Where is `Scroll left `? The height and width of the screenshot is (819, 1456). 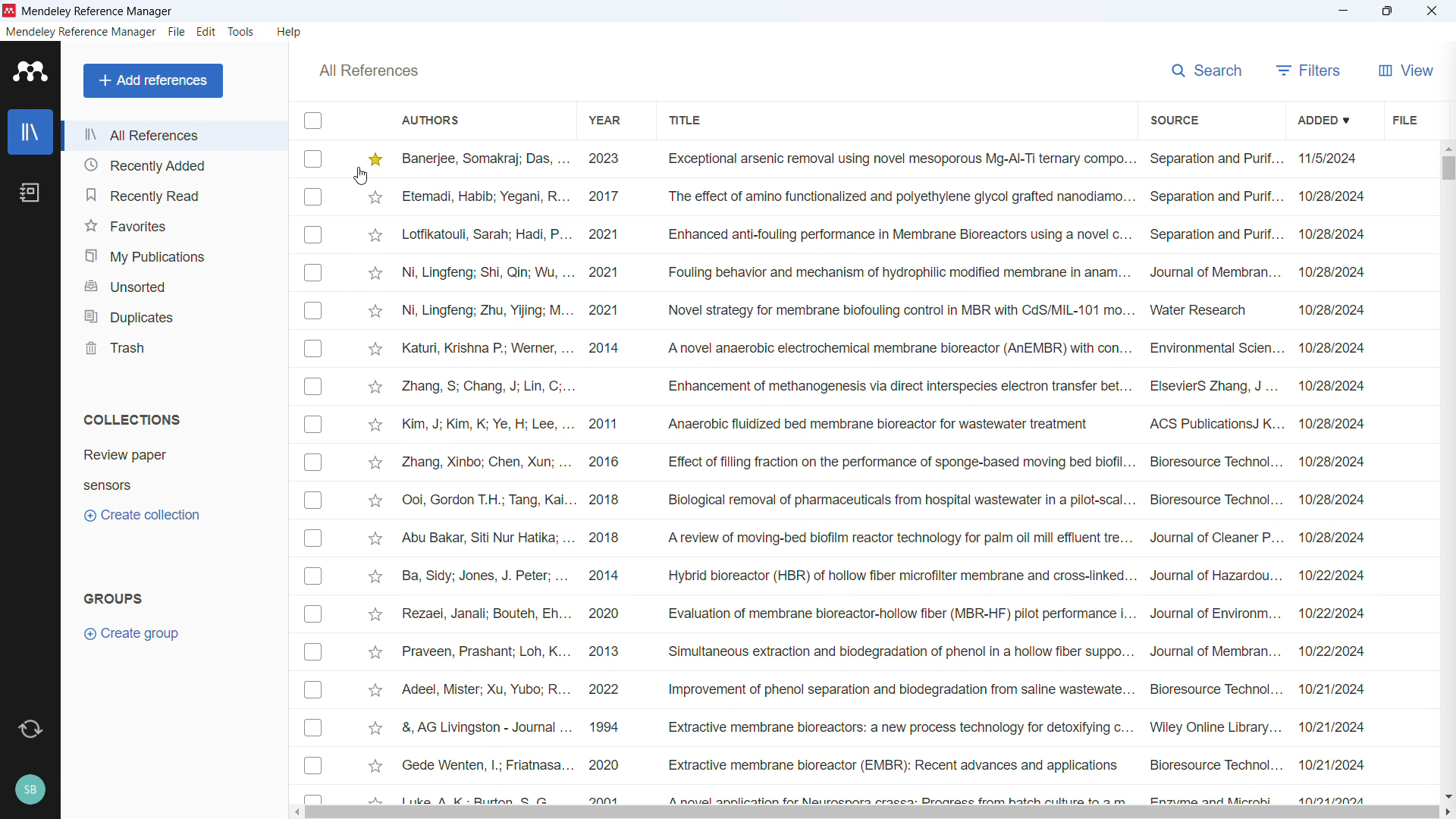
Scroll left  is located at coordinates (294, 813).